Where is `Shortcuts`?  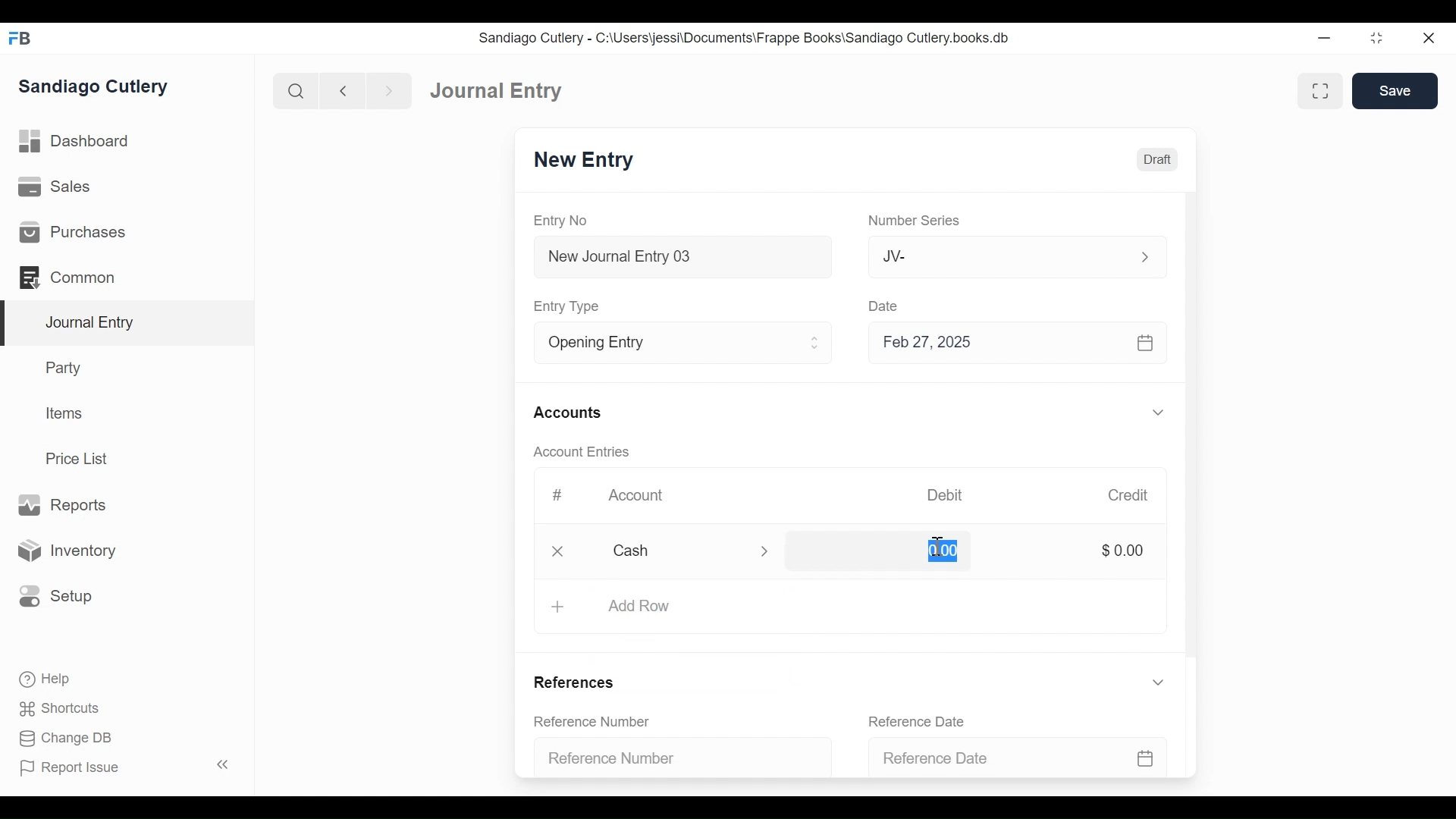
Shortcuts is located at coordinates (61, 711).